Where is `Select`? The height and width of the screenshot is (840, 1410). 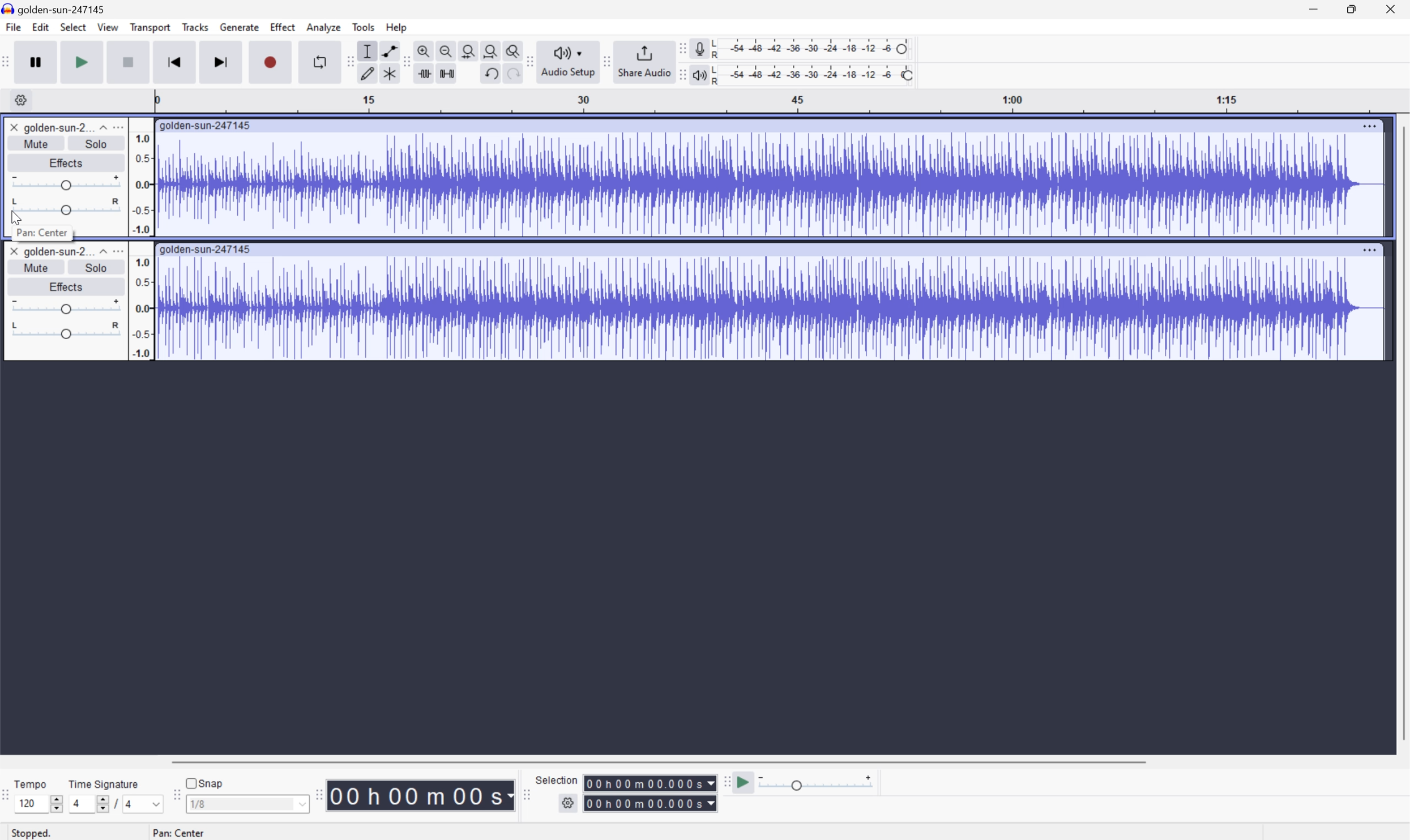
Select is located at coordinates (75, 29).